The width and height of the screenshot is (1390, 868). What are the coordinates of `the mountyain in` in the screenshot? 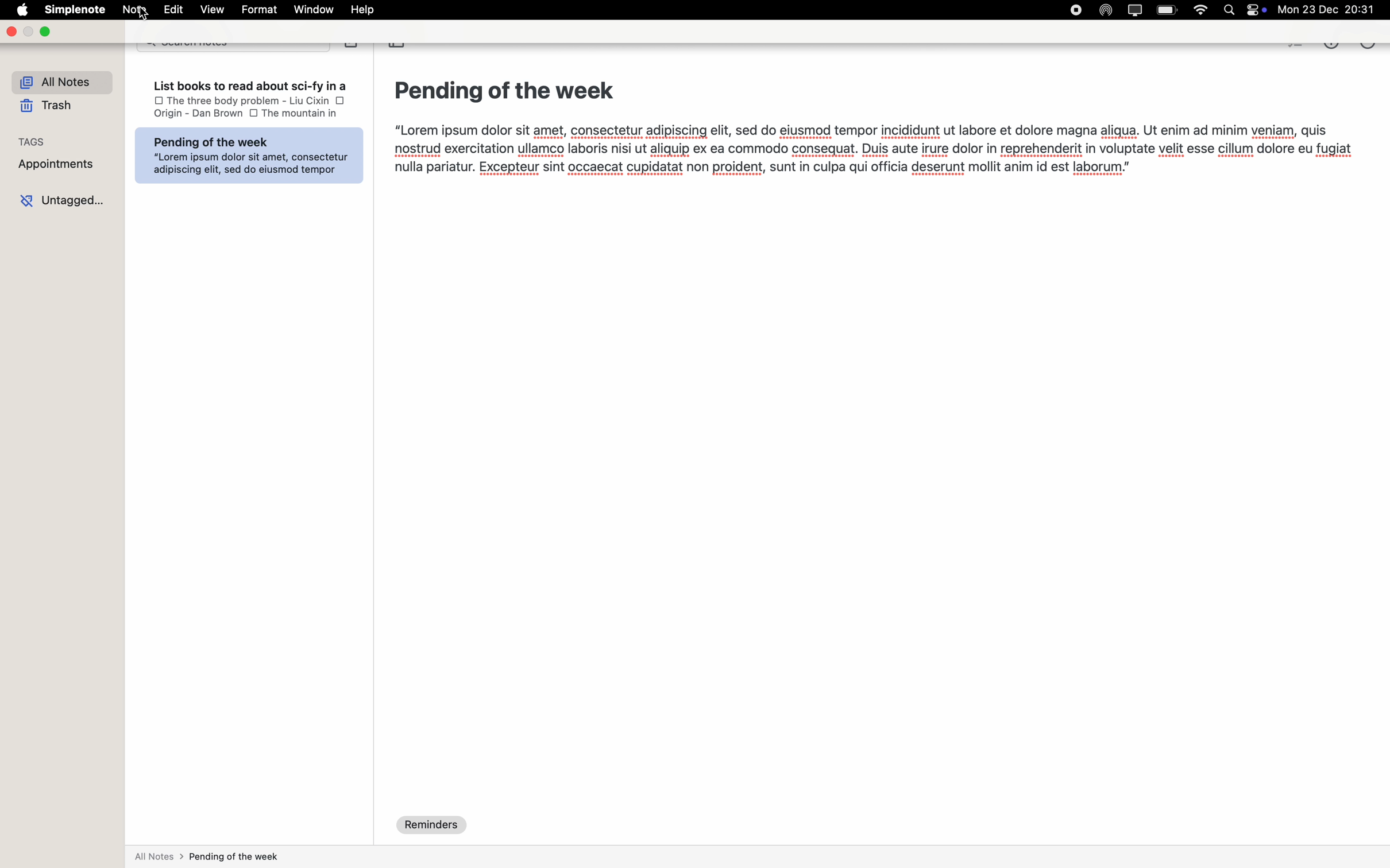 It's located at (312, 113).